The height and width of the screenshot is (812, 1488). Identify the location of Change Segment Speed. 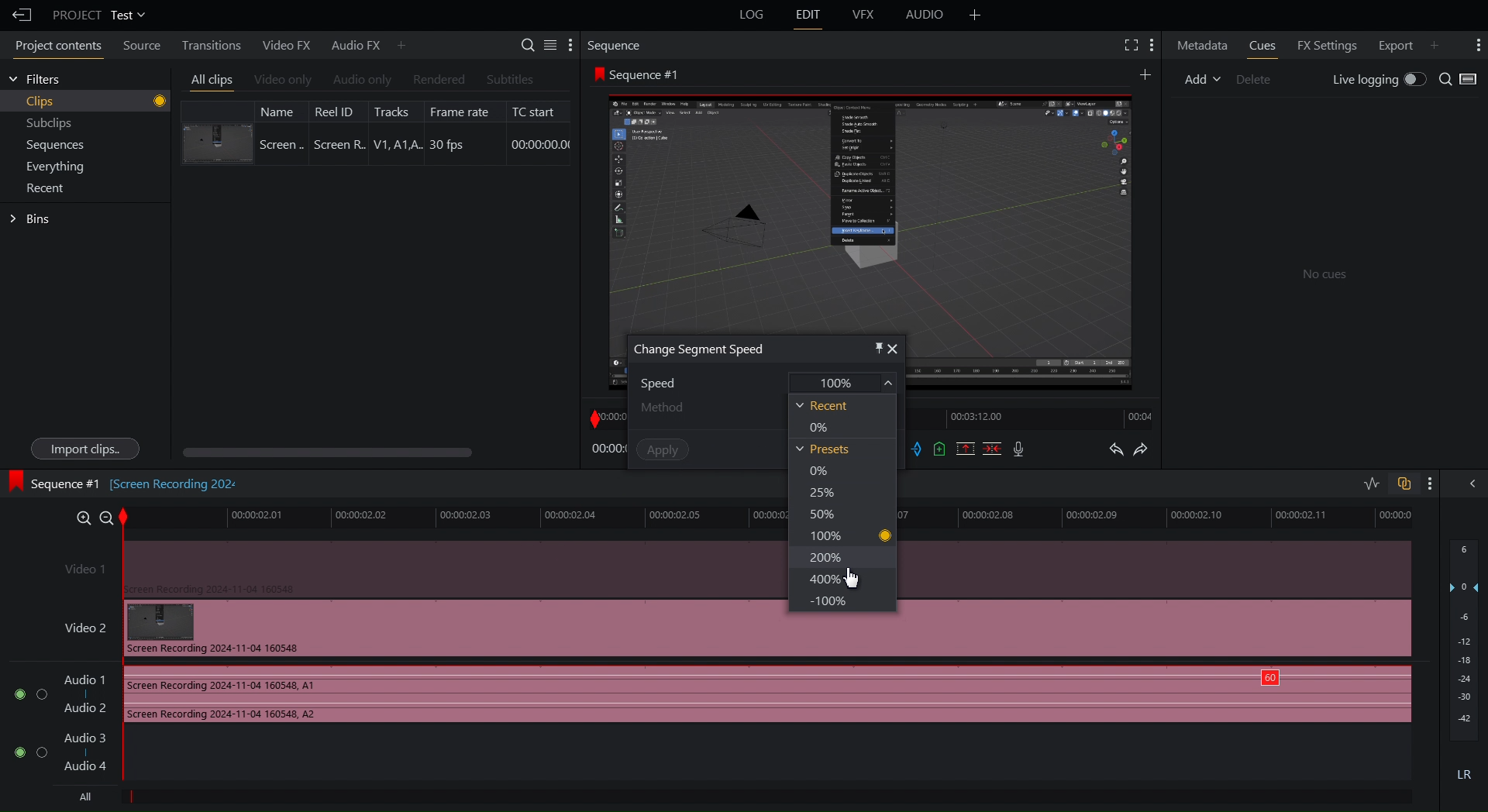
(700, 349).